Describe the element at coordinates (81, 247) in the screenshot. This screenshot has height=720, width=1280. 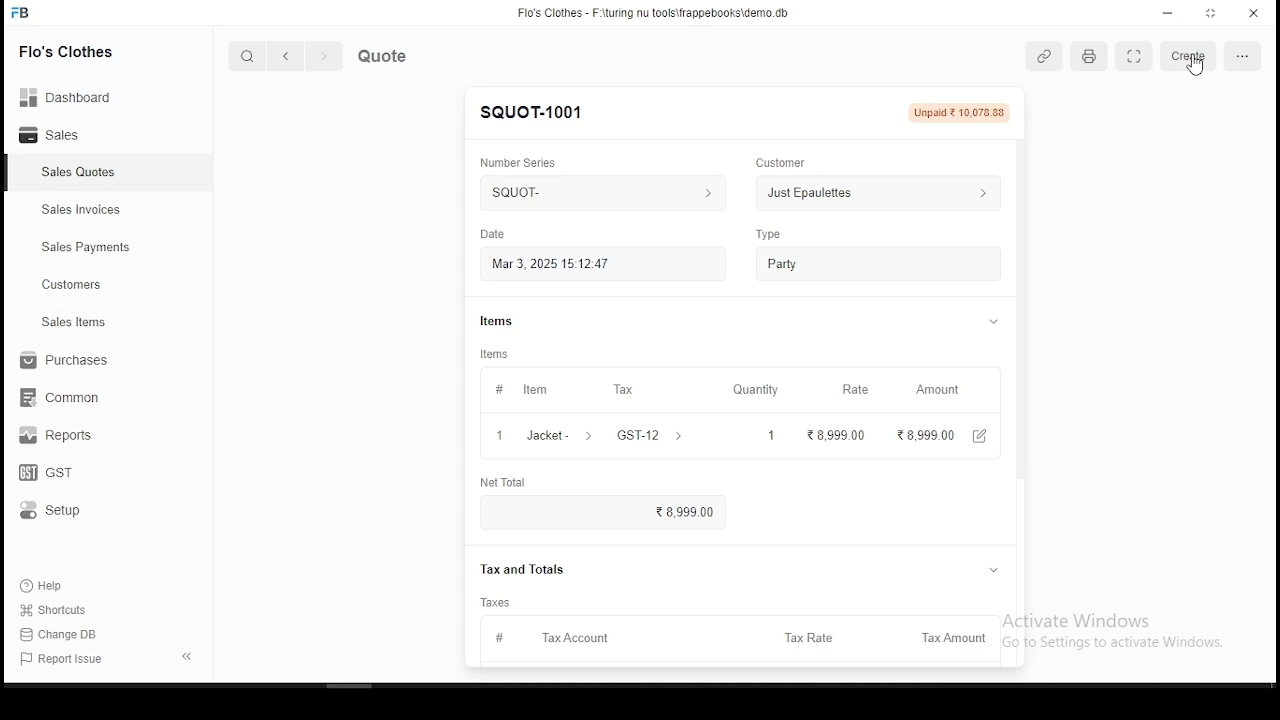
I see `sales payment` at that location.